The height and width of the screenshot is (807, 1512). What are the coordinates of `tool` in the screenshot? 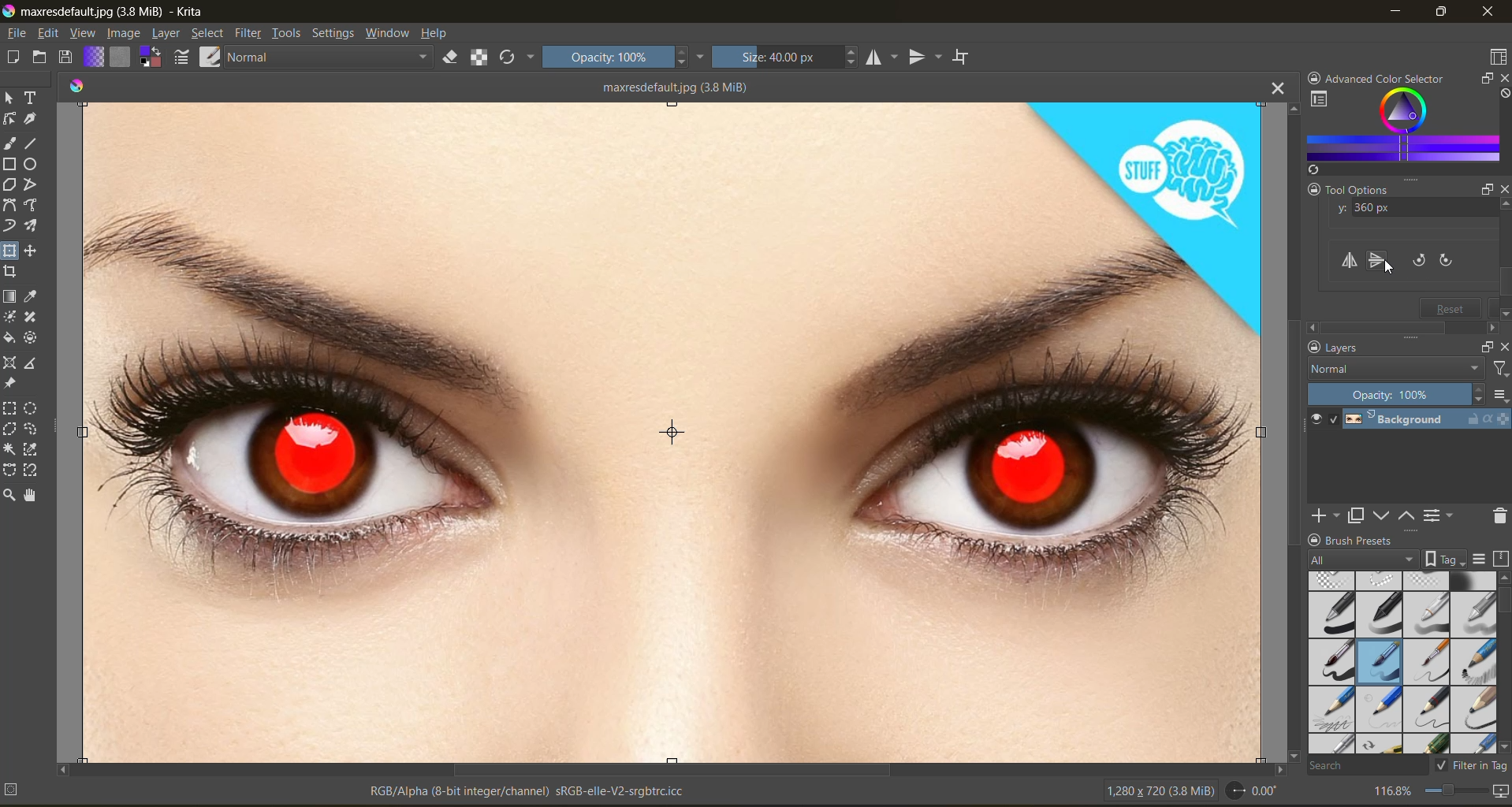 It's located at (12, 338).